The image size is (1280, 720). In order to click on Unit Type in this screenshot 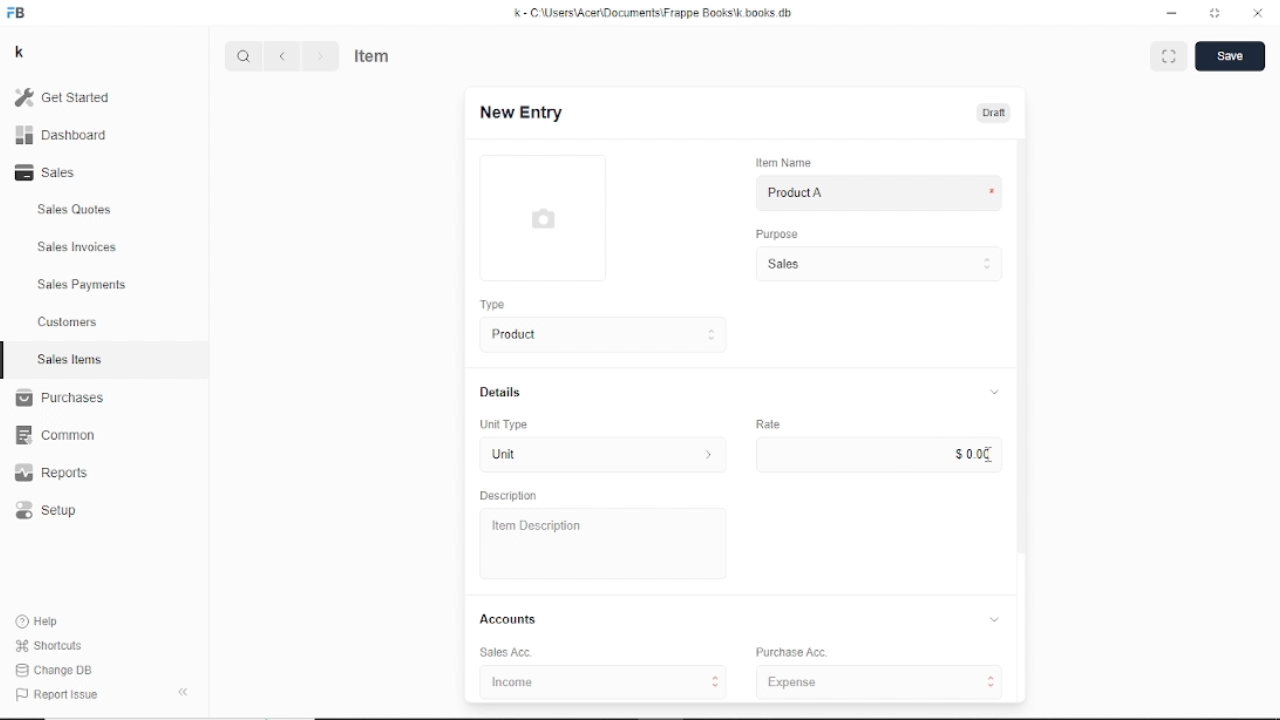, I will do `click(505, 425)`.